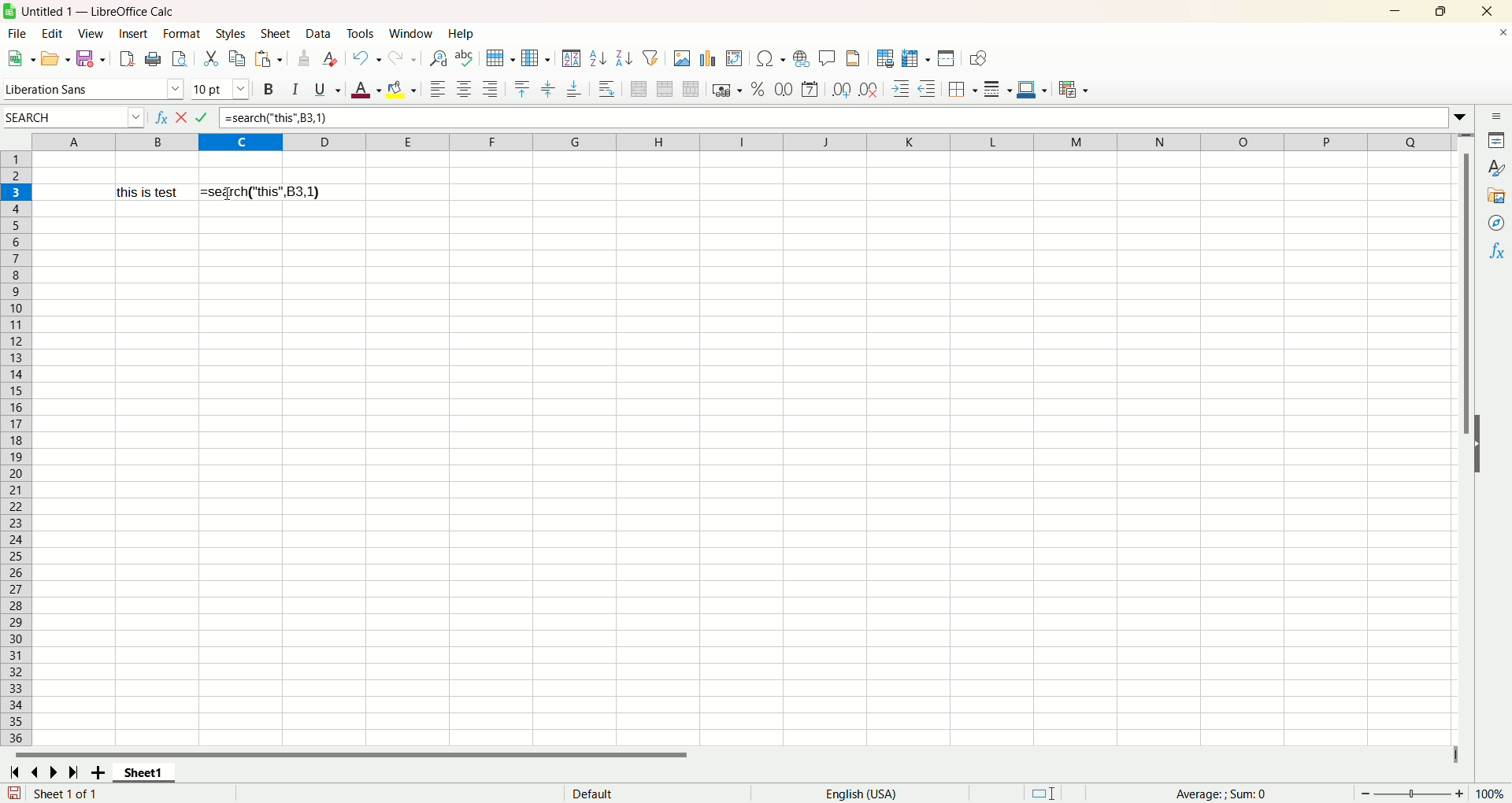  What do you see at coordinates (164, 12) in the screenshot?
I see `document name` at bounding box center [164, 12].